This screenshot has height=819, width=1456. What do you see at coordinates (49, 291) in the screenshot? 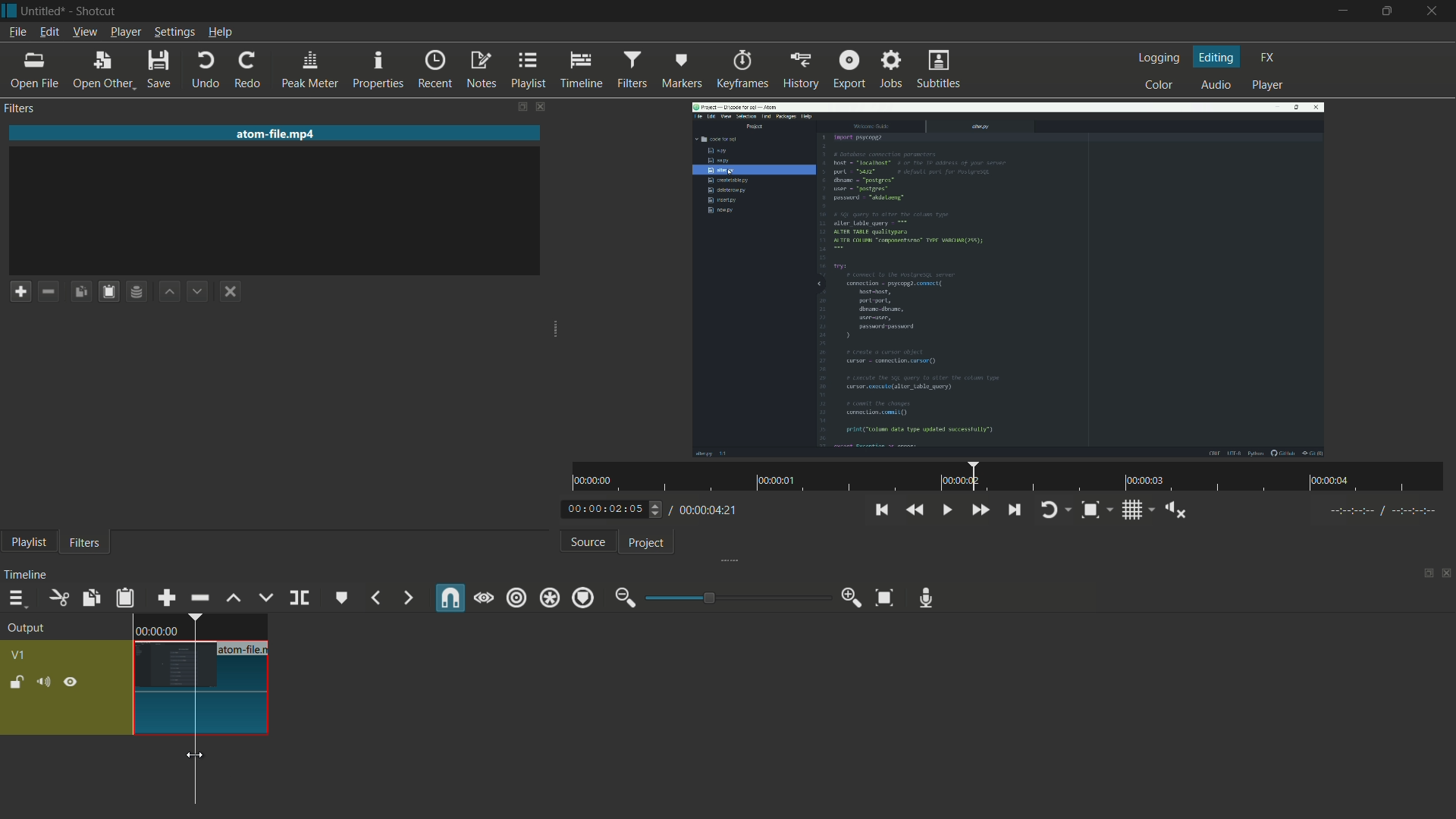
I see `remove filter` at bounding box center [49, 291].